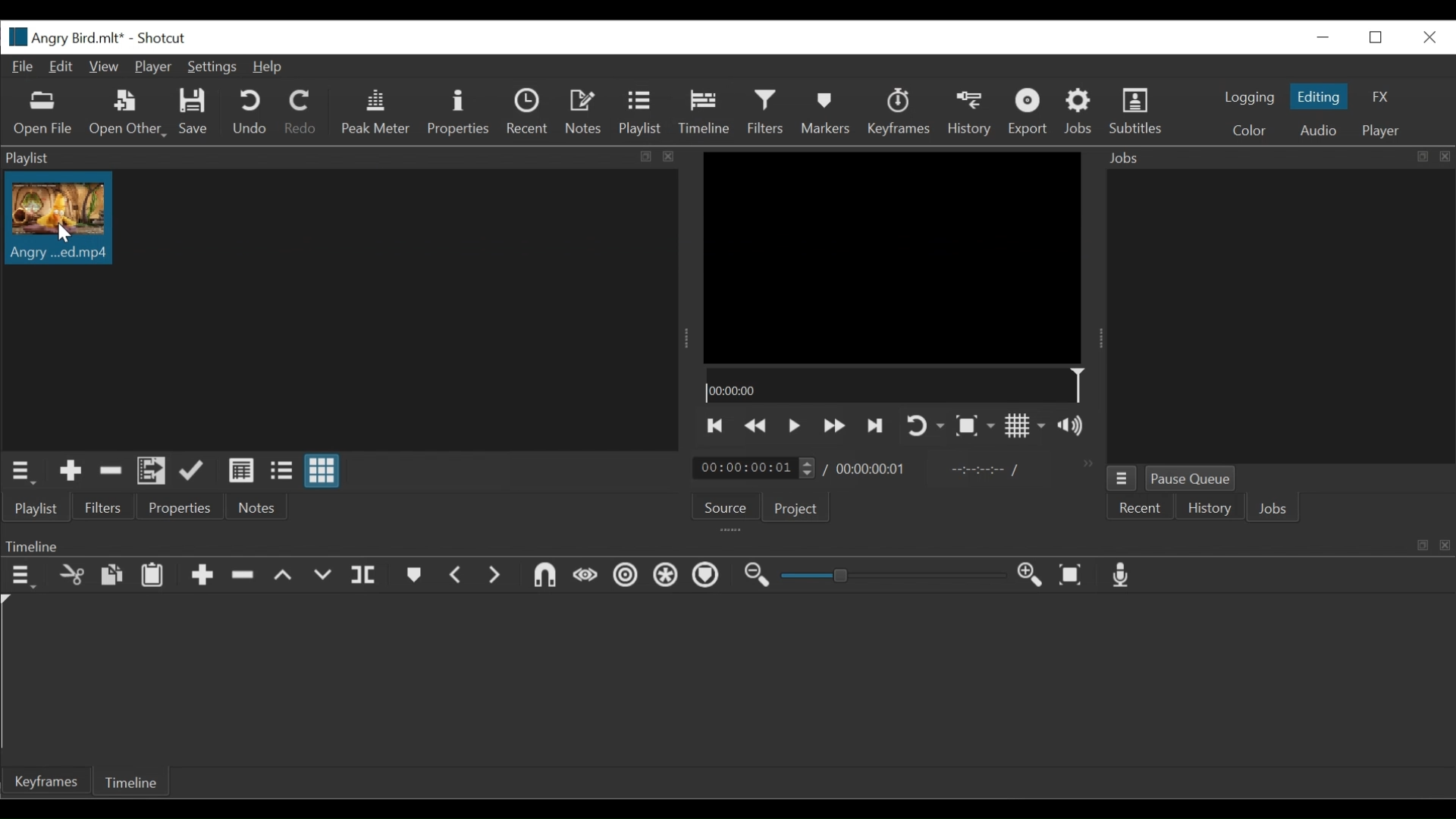  Describe the element at coordinates (975, 425) in the screenshot. I see `Toggle zoom` at that location.